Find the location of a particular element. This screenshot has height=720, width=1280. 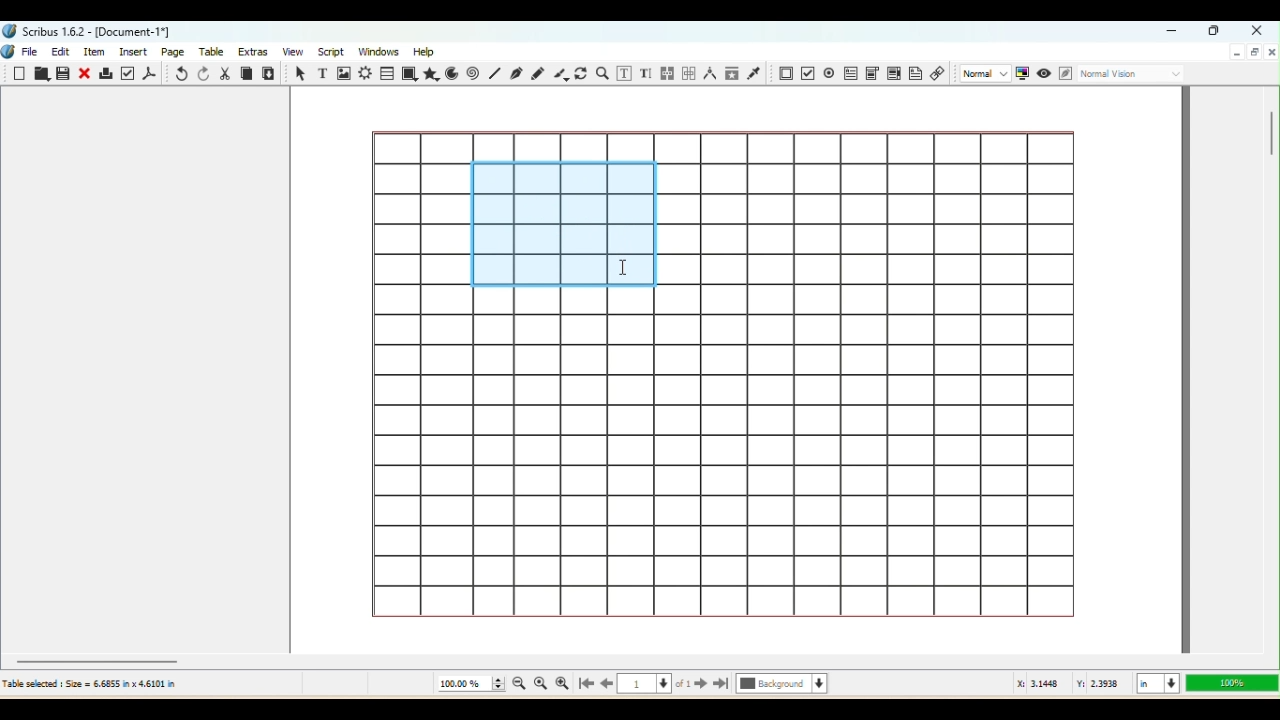

Save as PDF is located at coordinates (151, 73).